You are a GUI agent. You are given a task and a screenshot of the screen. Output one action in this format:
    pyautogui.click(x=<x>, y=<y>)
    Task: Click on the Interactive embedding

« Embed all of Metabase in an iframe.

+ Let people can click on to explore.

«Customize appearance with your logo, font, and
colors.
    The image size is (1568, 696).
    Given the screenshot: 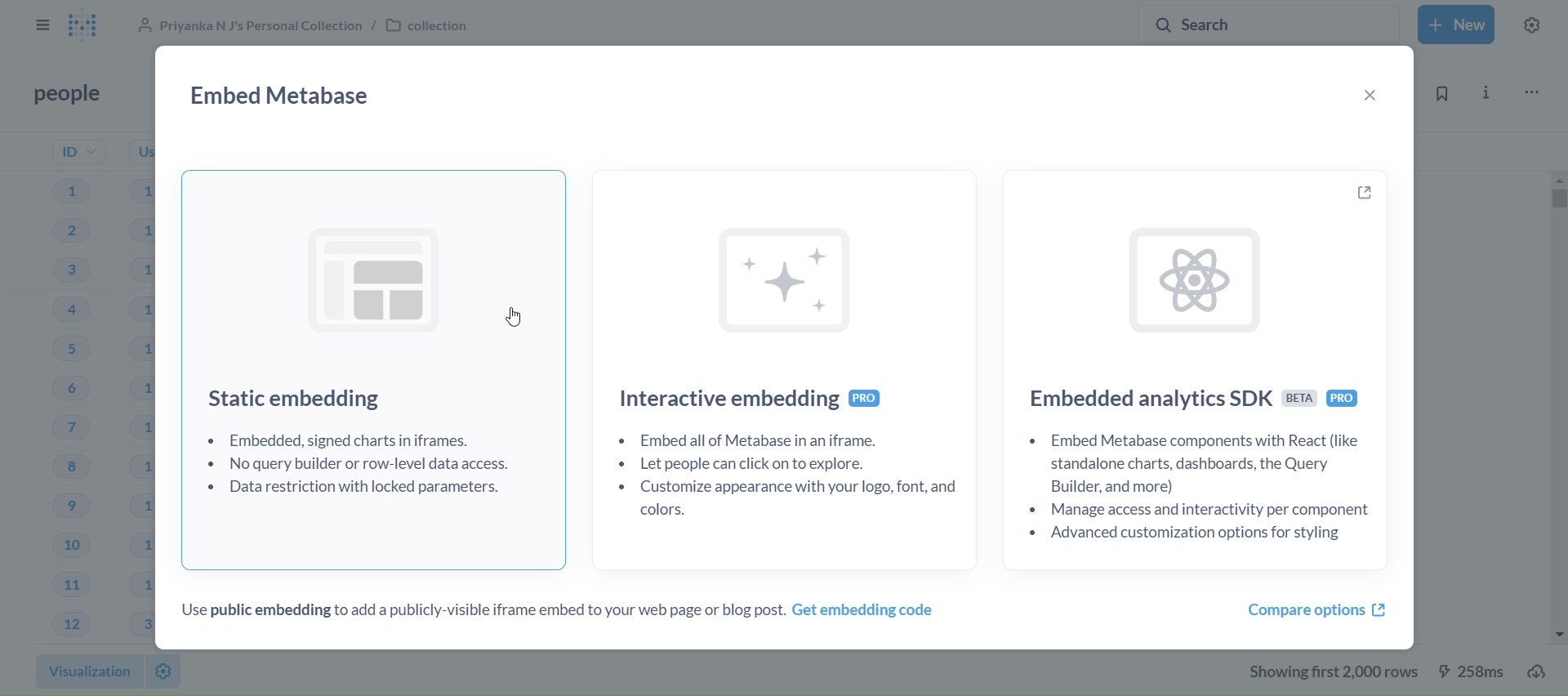 What is the action you would take?
    pyautogui.click(x=791, y=365)
    